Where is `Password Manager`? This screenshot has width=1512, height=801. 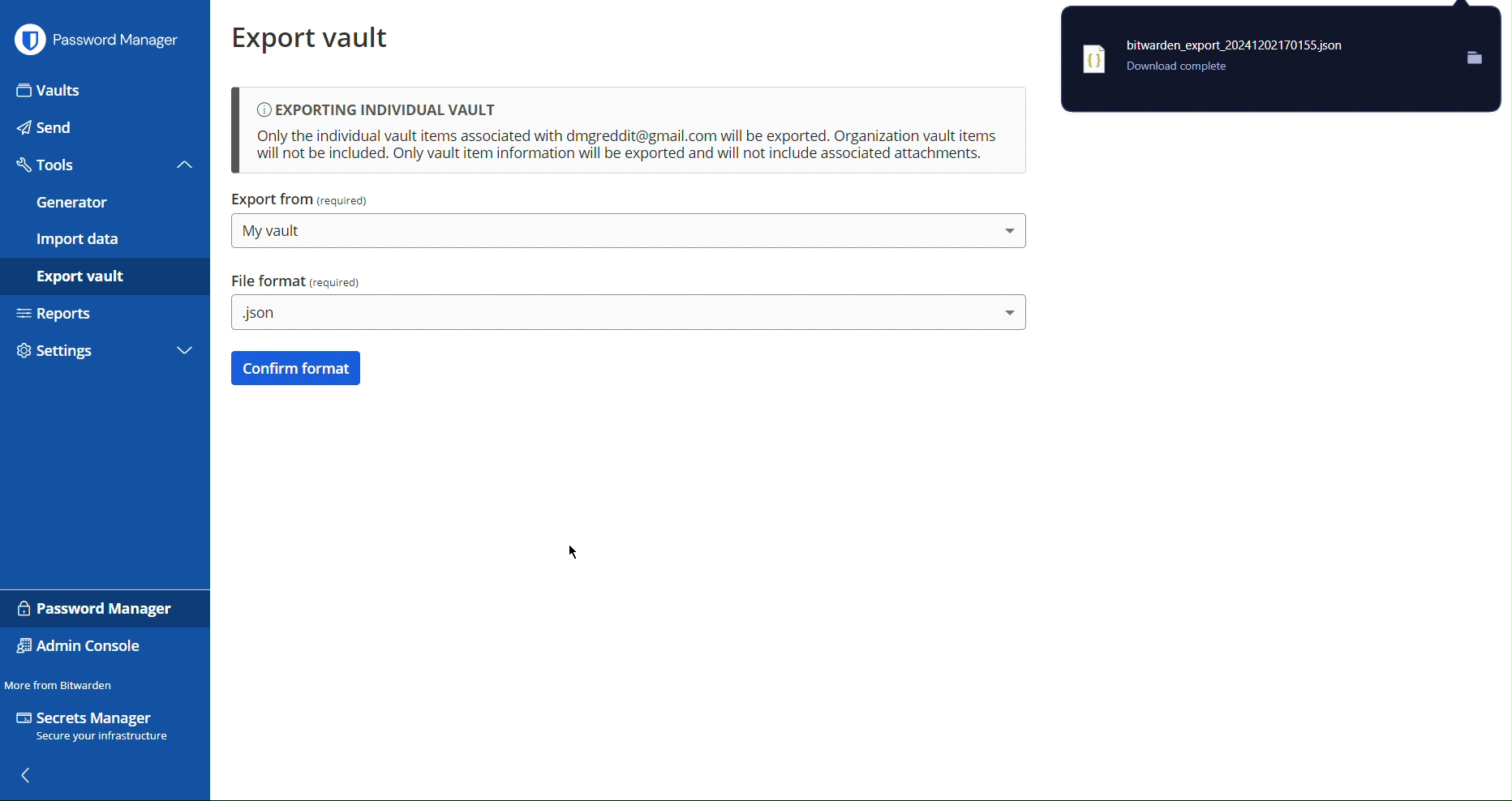
Password Manager is located at coordinates (93, 606).